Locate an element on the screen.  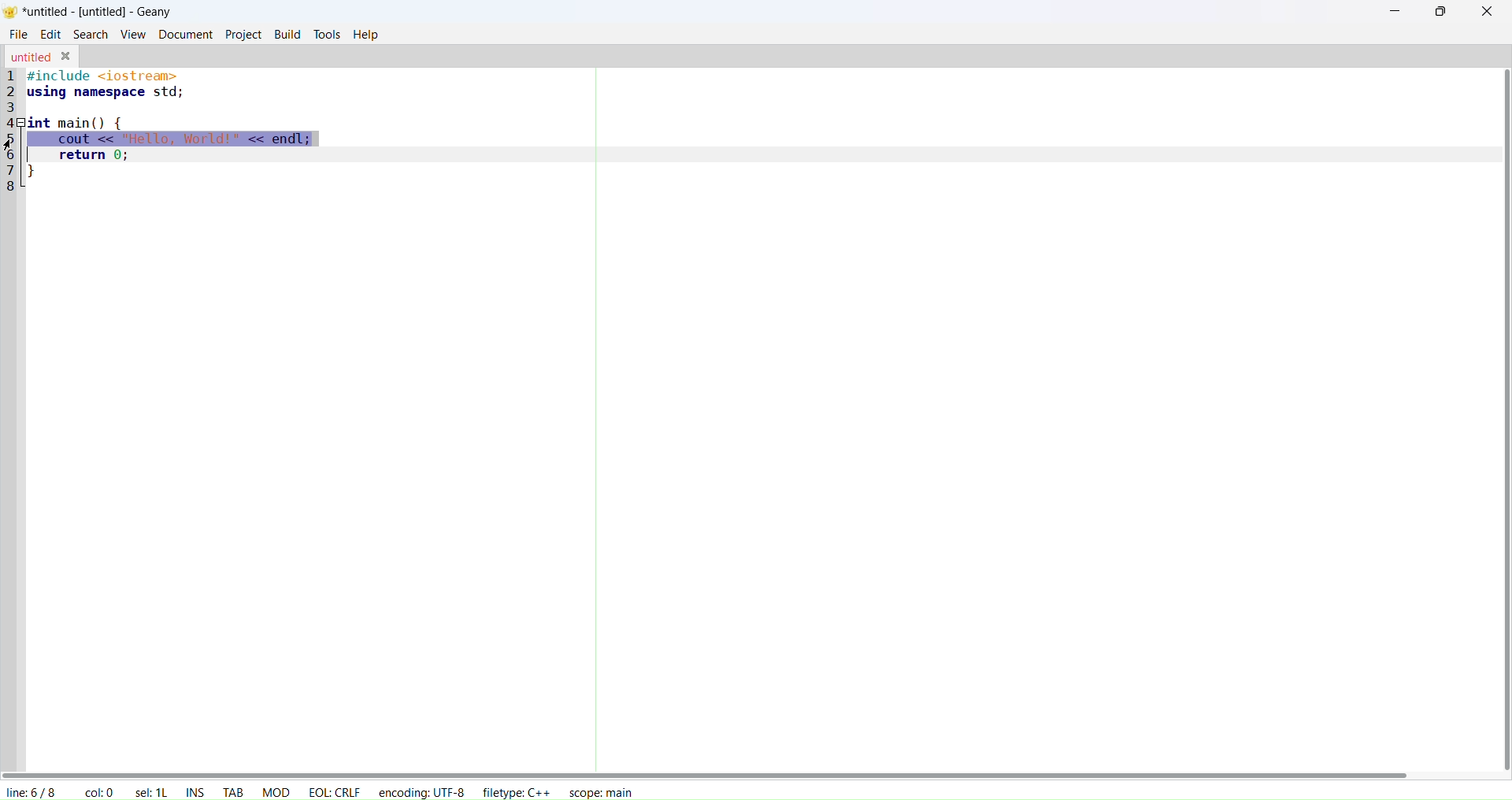
6      return 0; is located at coordinates (82, 157).